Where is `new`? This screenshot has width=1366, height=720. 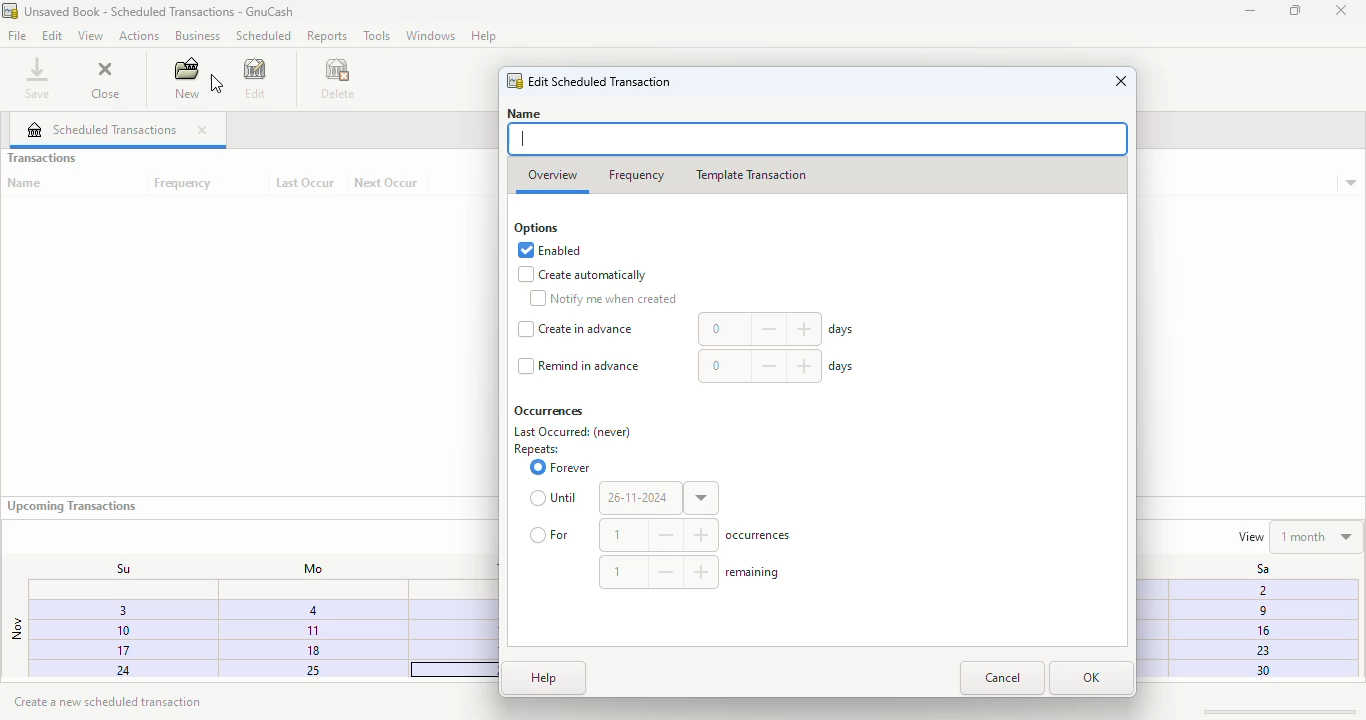
new is located at coordinates (186, 77).